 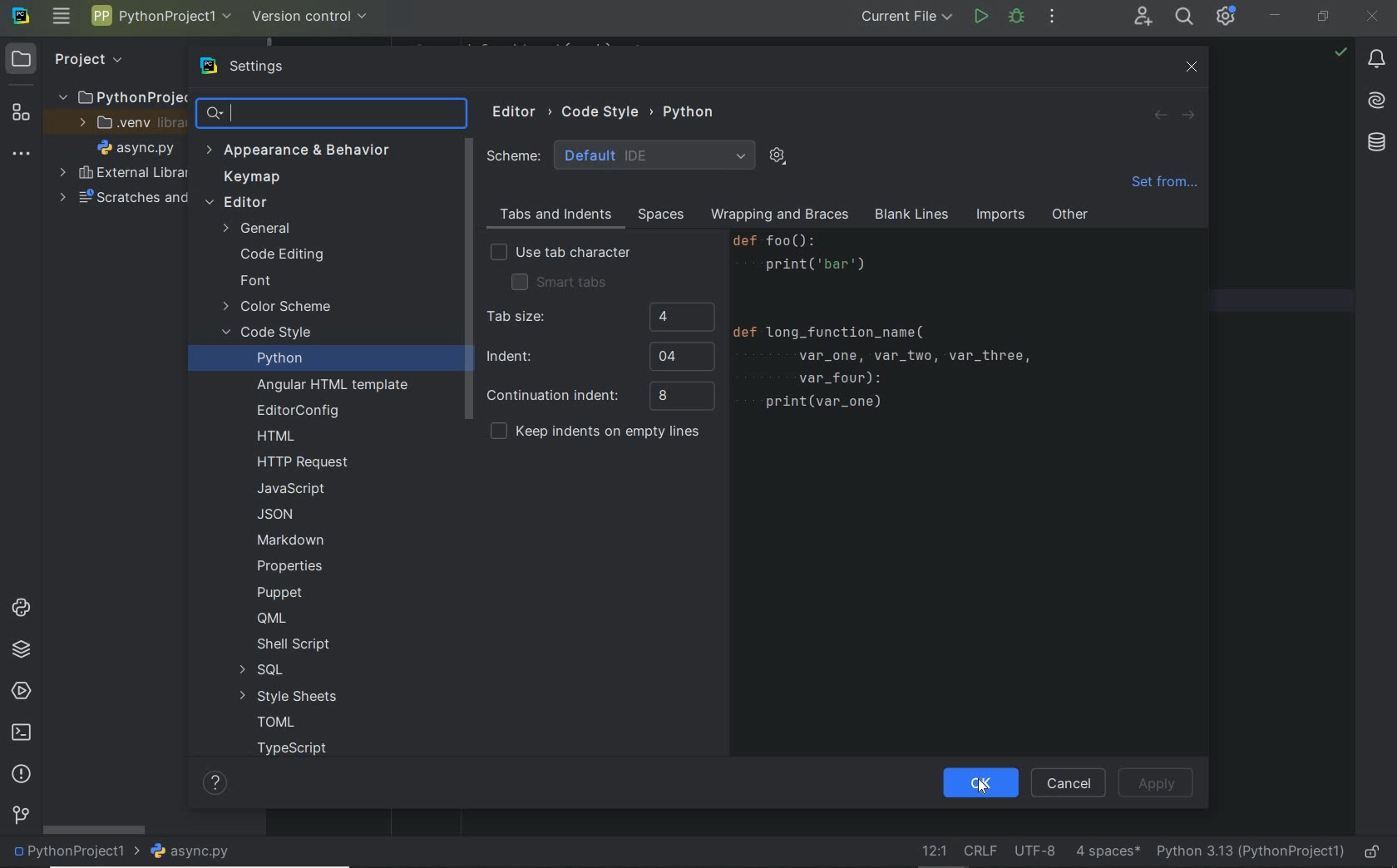 I want to click on JSON, so click(x=280, y=514).